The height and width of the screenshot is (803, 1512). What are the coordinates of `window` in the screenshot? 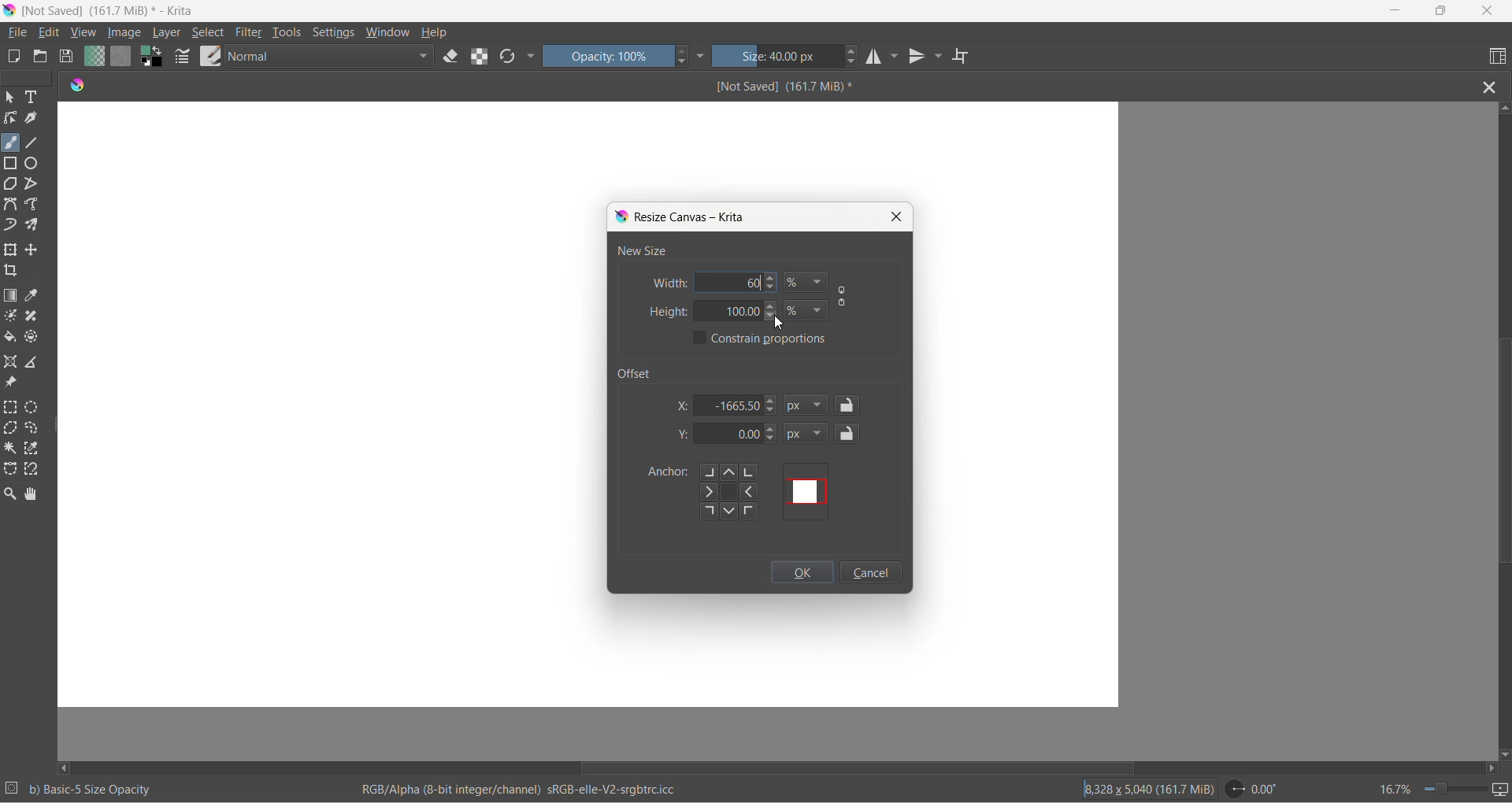 It's located at (387, 34).